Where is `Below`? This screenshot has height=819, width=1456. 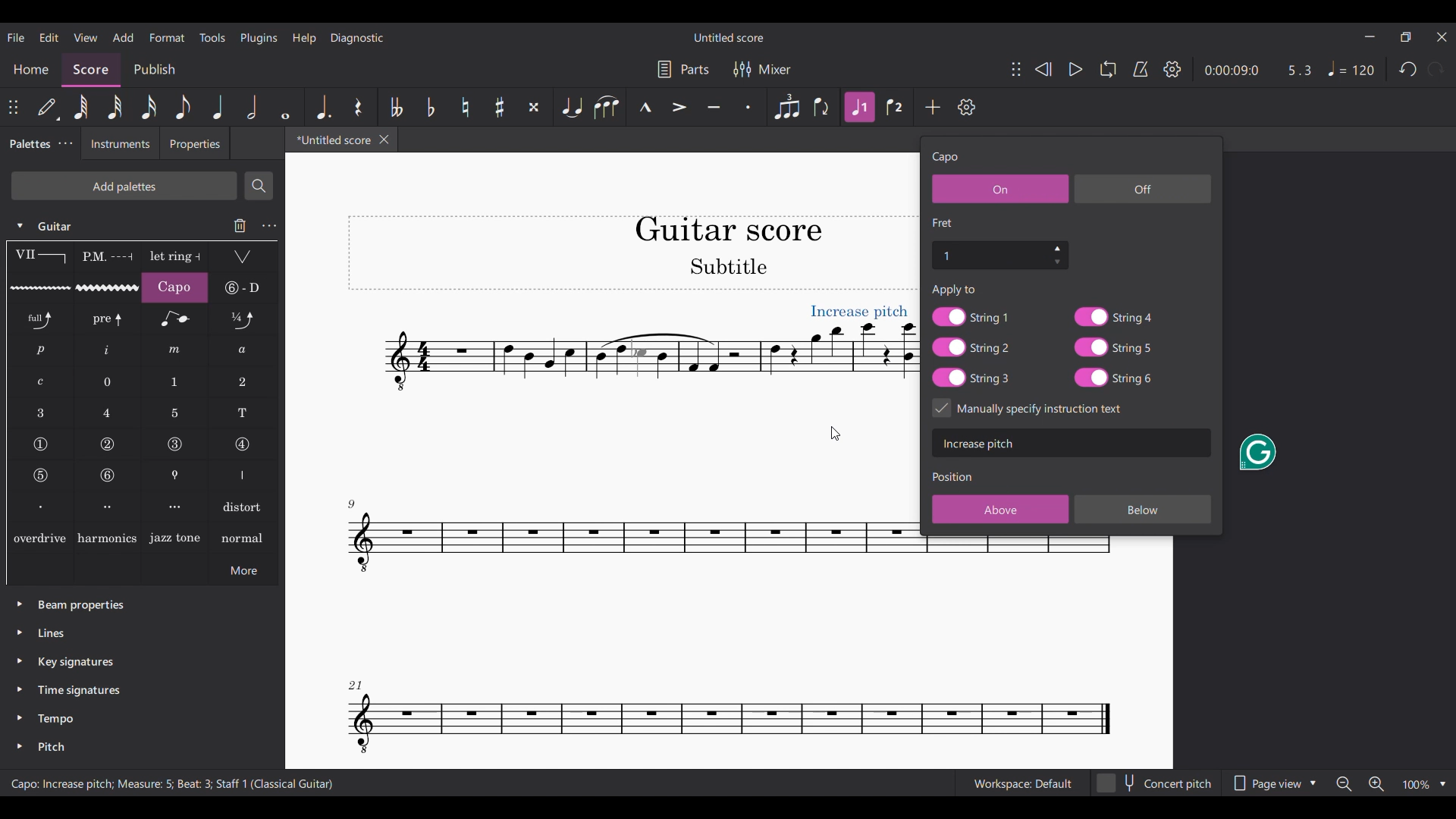
Below is located at coordinates (1144, 512).